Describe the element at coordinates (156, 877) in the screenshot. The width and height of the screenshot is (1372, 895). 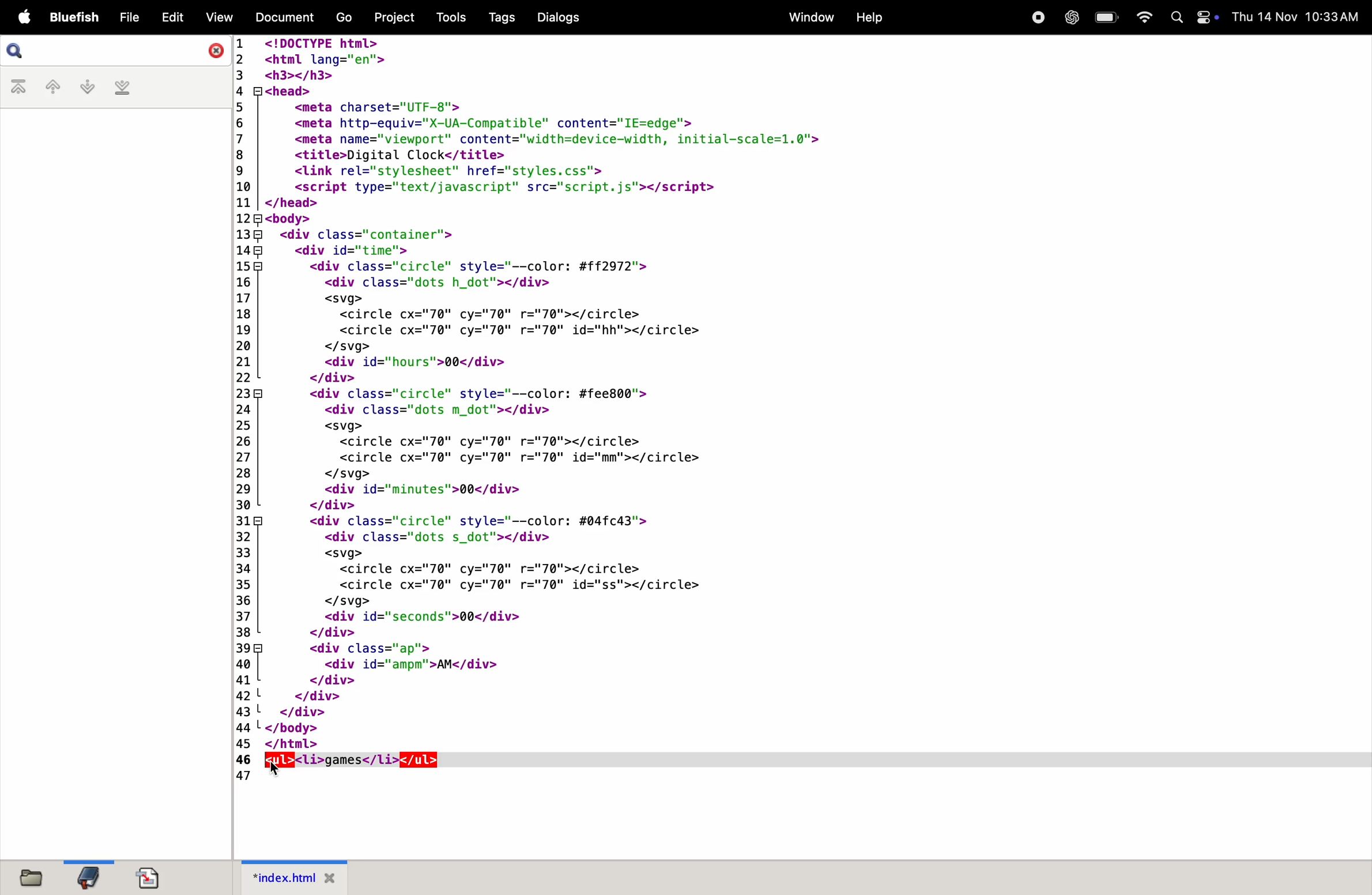
I see `document` at that location.